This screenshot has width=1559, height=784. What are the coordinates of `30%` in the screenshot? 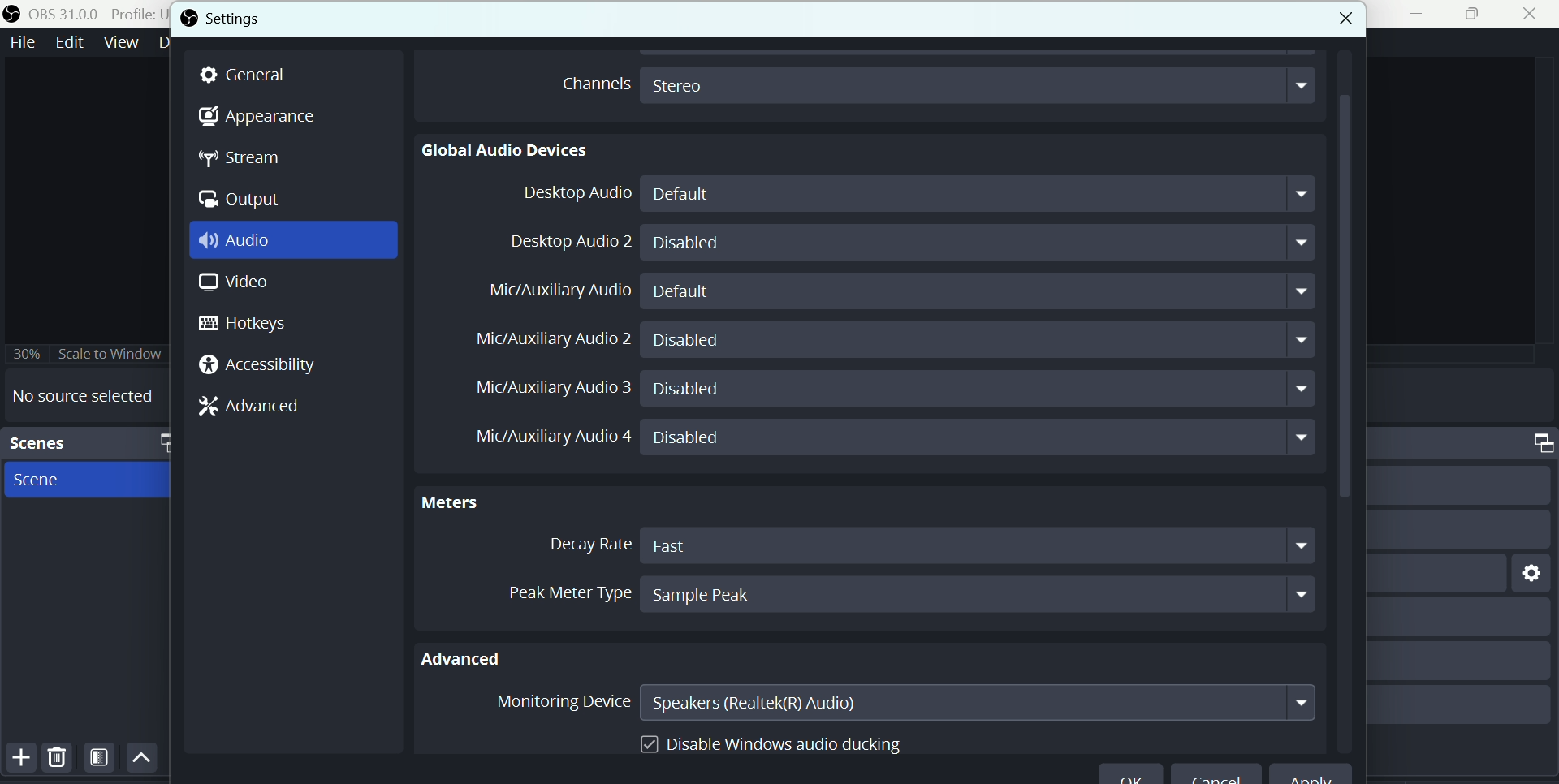 It's located at (26, 351).